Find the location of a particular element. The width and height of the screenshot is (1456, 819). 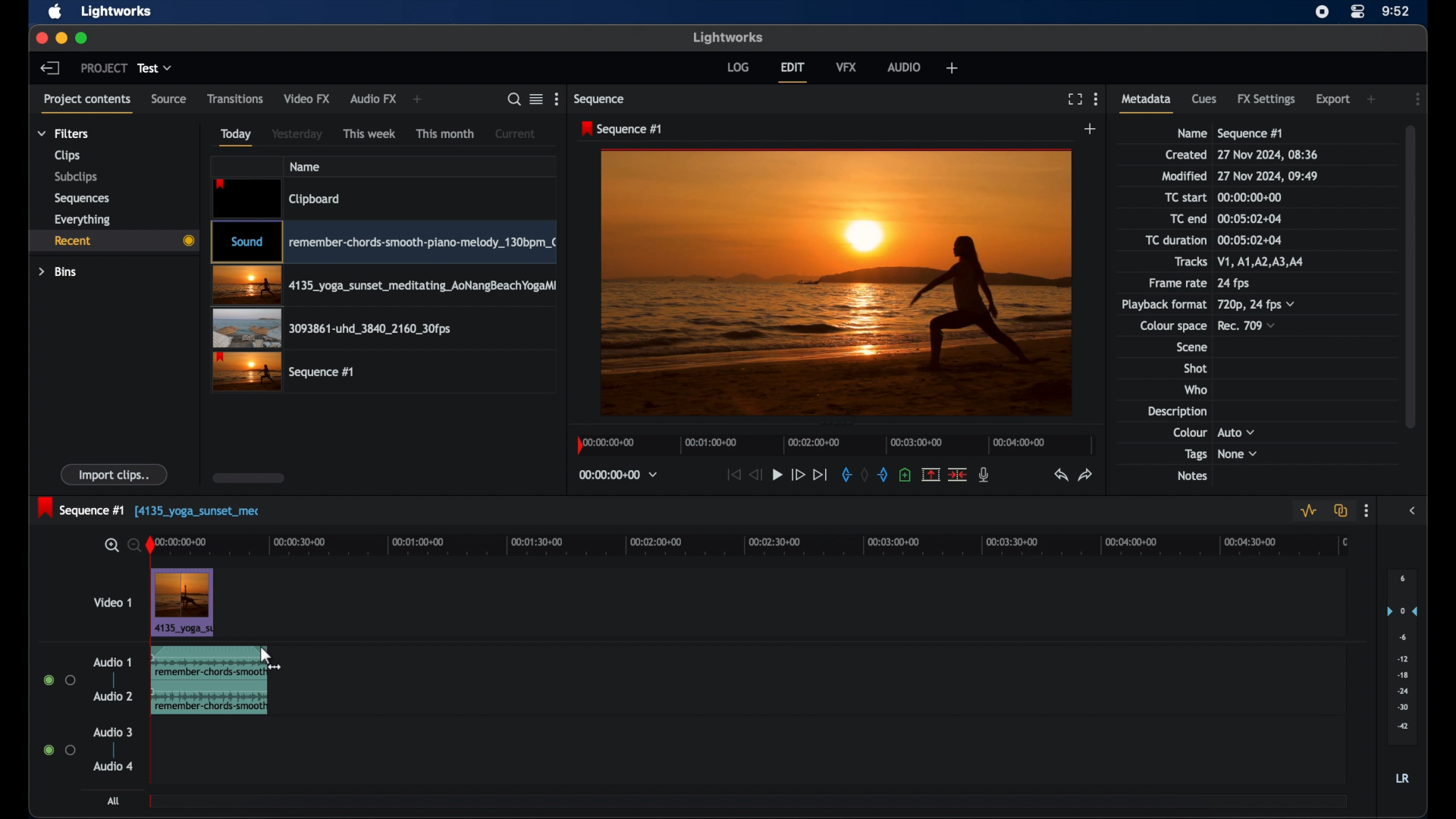

source is located at coordinates (169, 98).